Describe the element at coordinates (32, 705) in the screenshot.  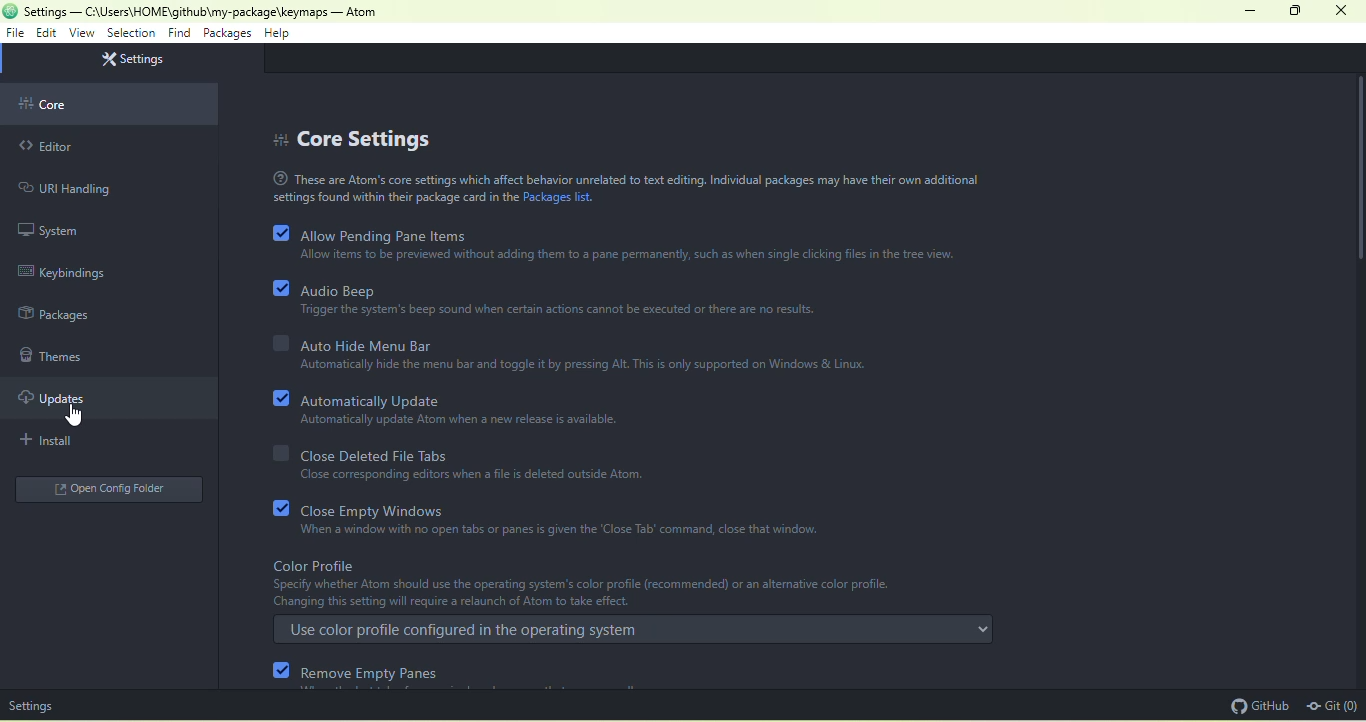
I see `settings` at that location.